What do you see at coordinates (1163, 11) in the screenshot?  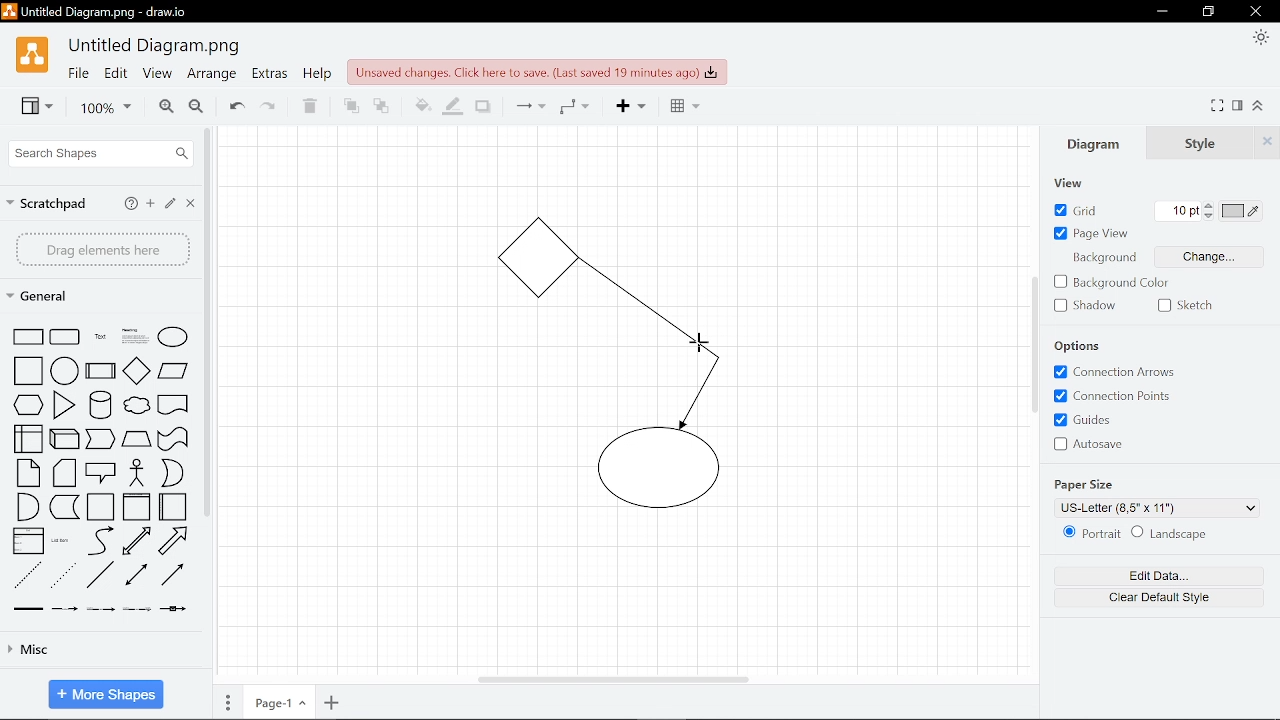 I see `minimize` at bounding box center [1163, 11].